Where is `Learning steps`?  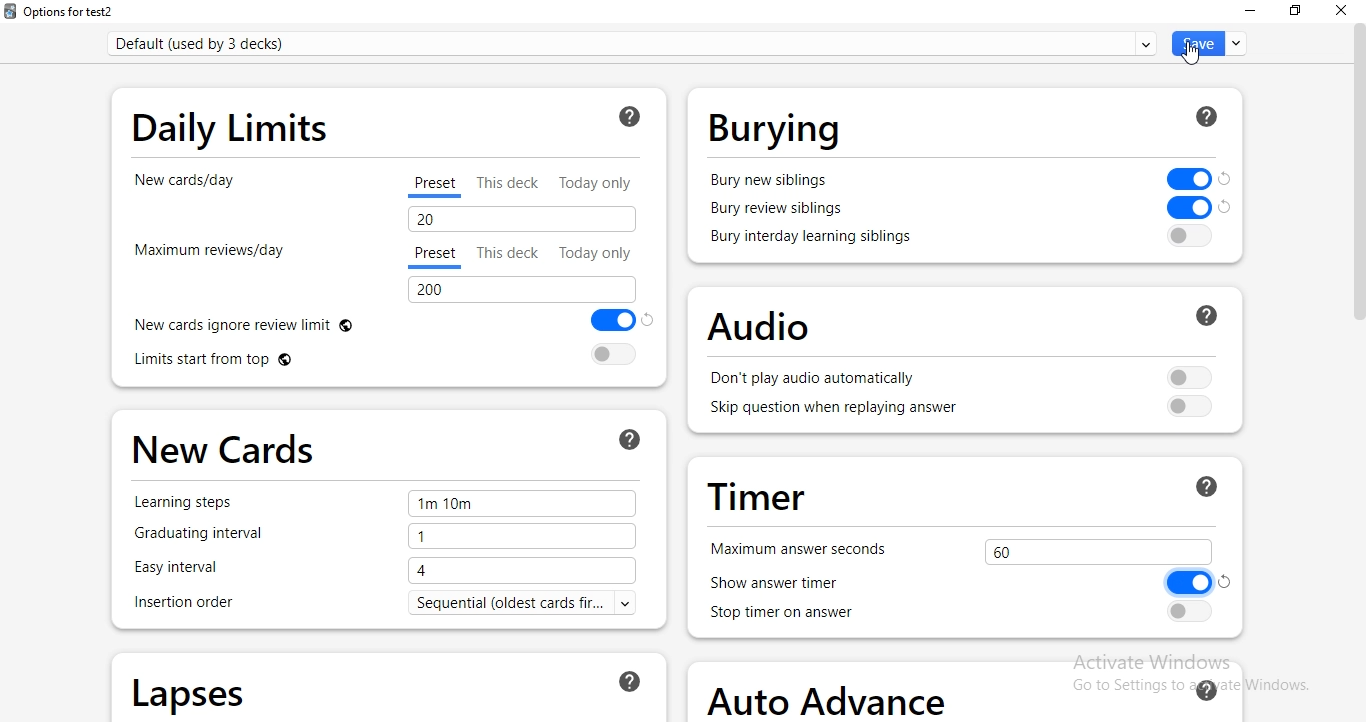
Learning steps is located at coordinates (182, 503).